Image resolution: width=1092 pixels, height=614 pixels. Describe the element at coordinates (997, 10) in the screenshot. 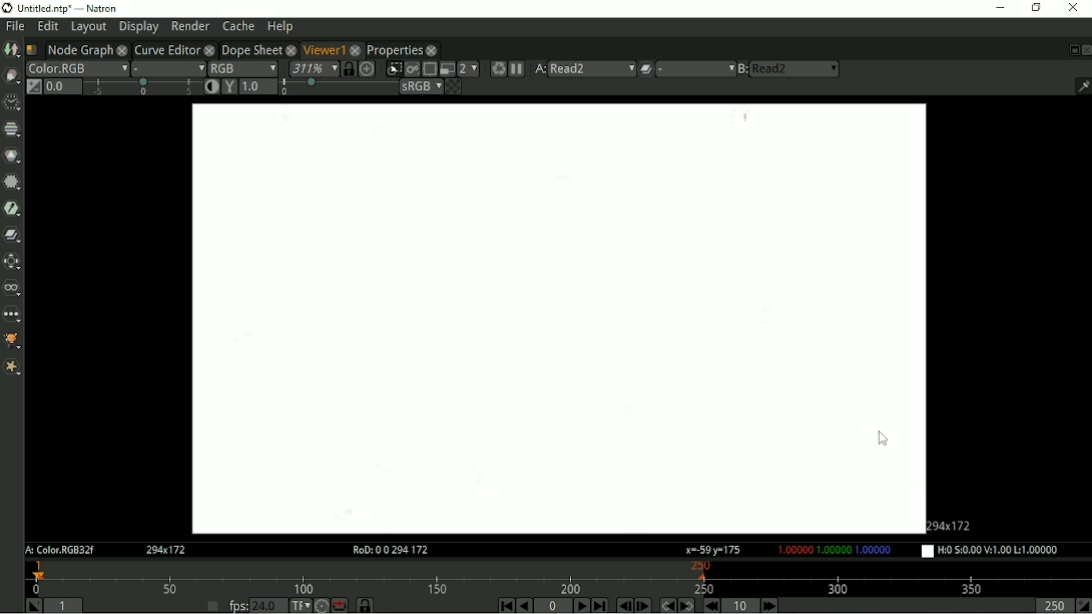

I see `Minimize` at that location.